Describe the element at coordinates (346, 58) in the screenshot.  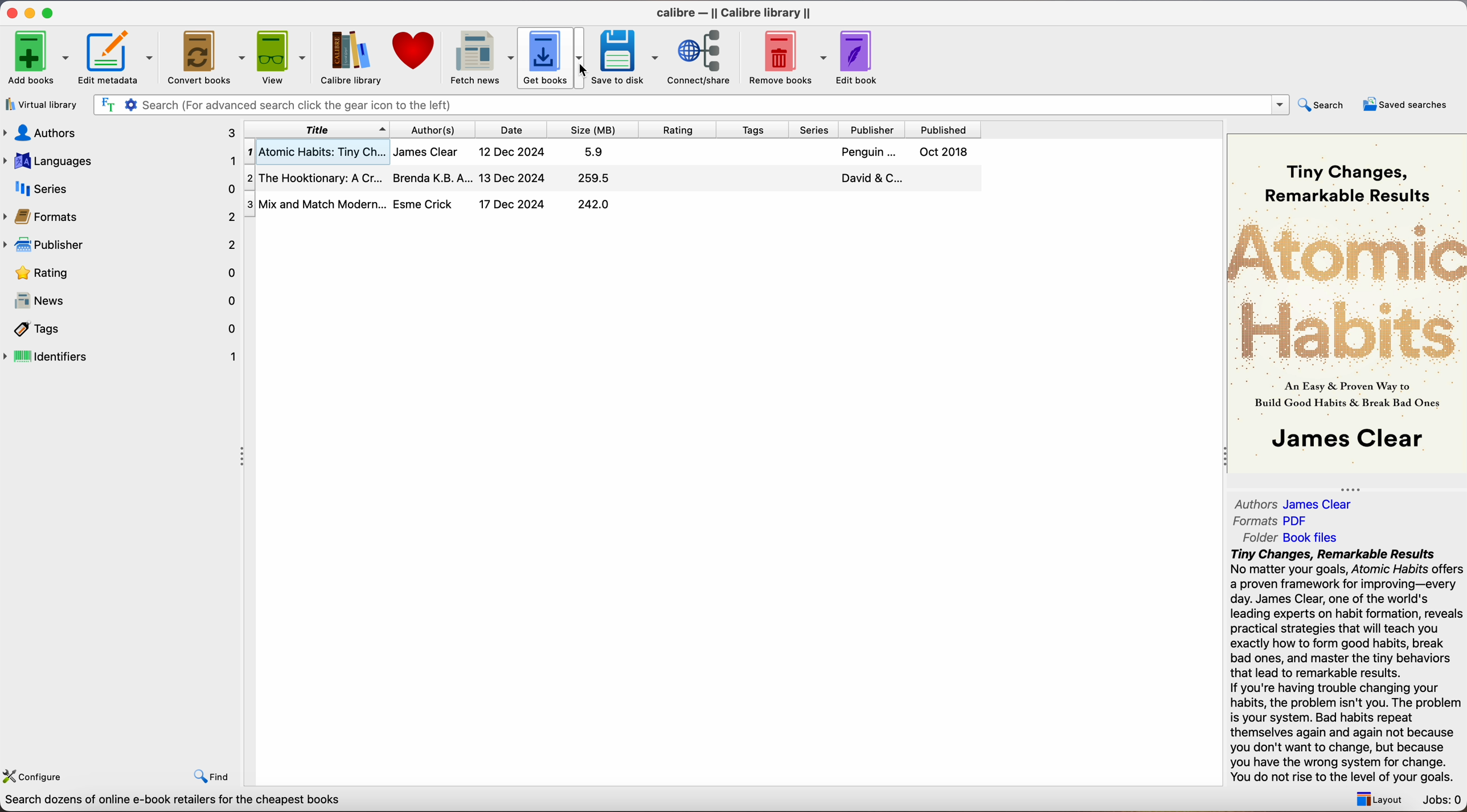
I see `calibre library` at that location.